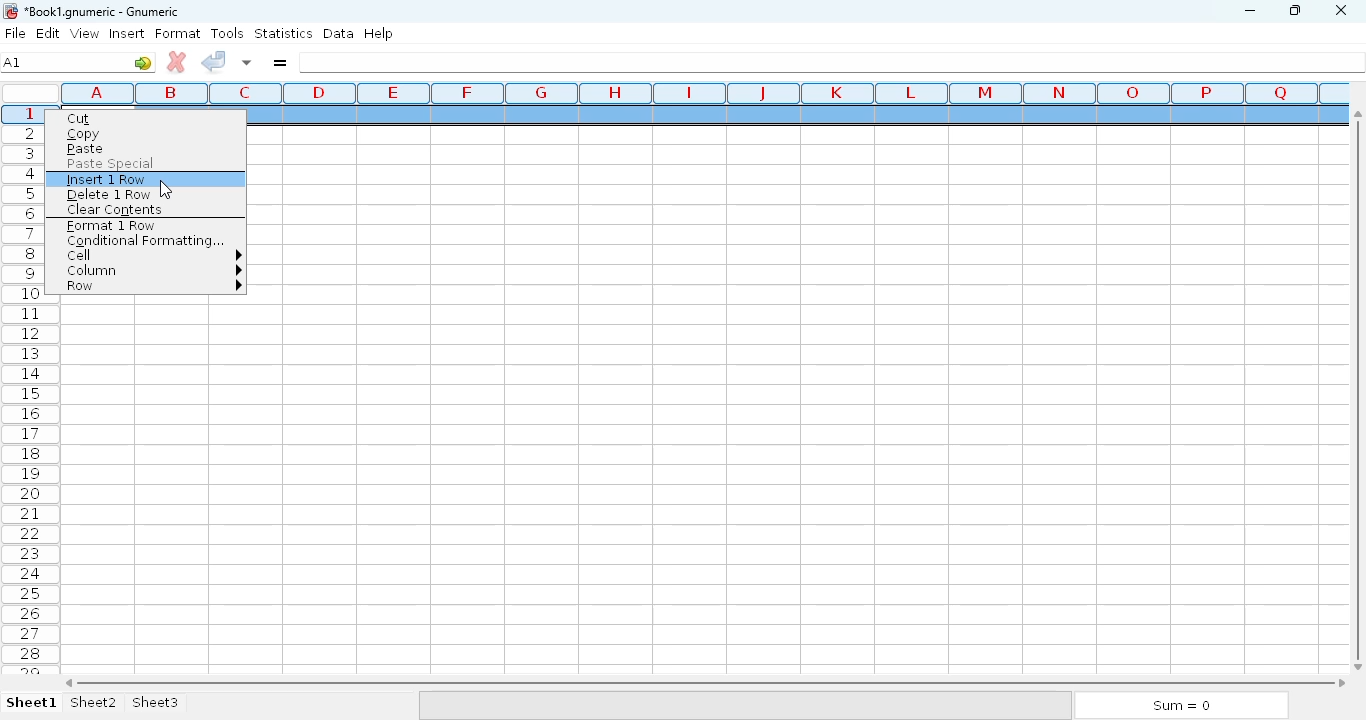 The image size is (1366, 720). I want to click on cut, so click(79, 119).